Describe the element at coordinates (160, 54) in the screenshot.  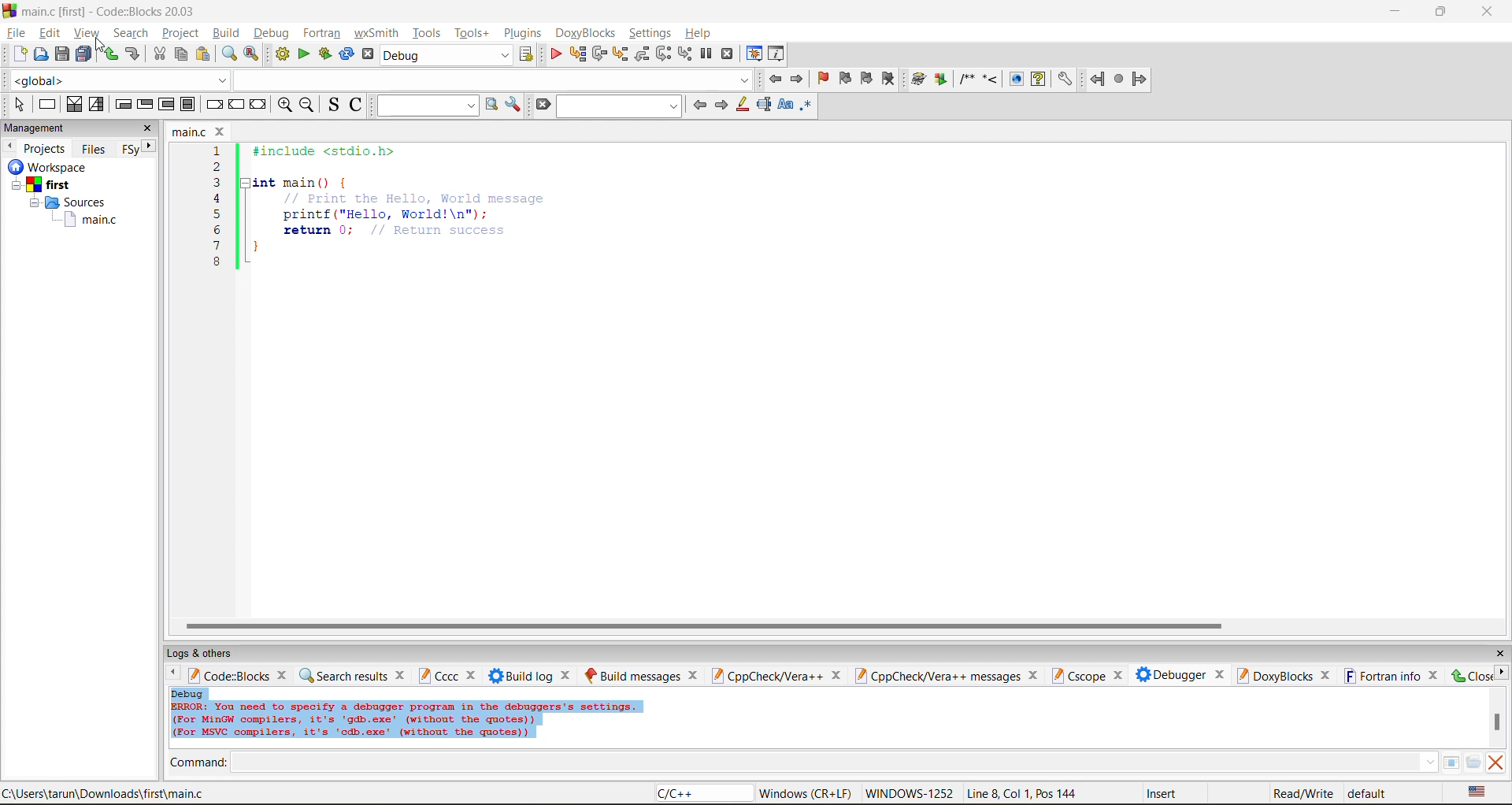
I see `cut` at that location.